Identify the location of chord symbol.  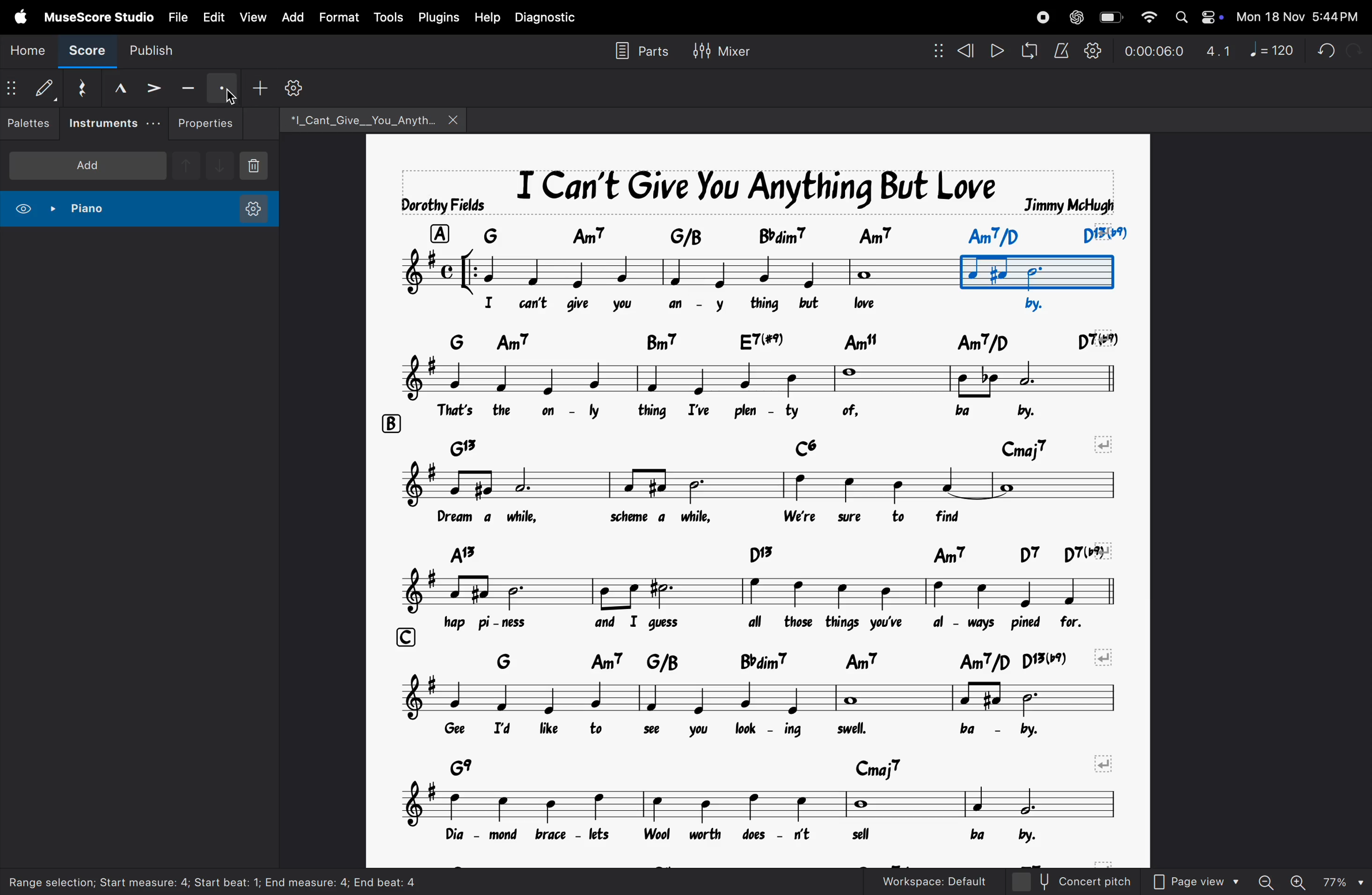
(803, 337).